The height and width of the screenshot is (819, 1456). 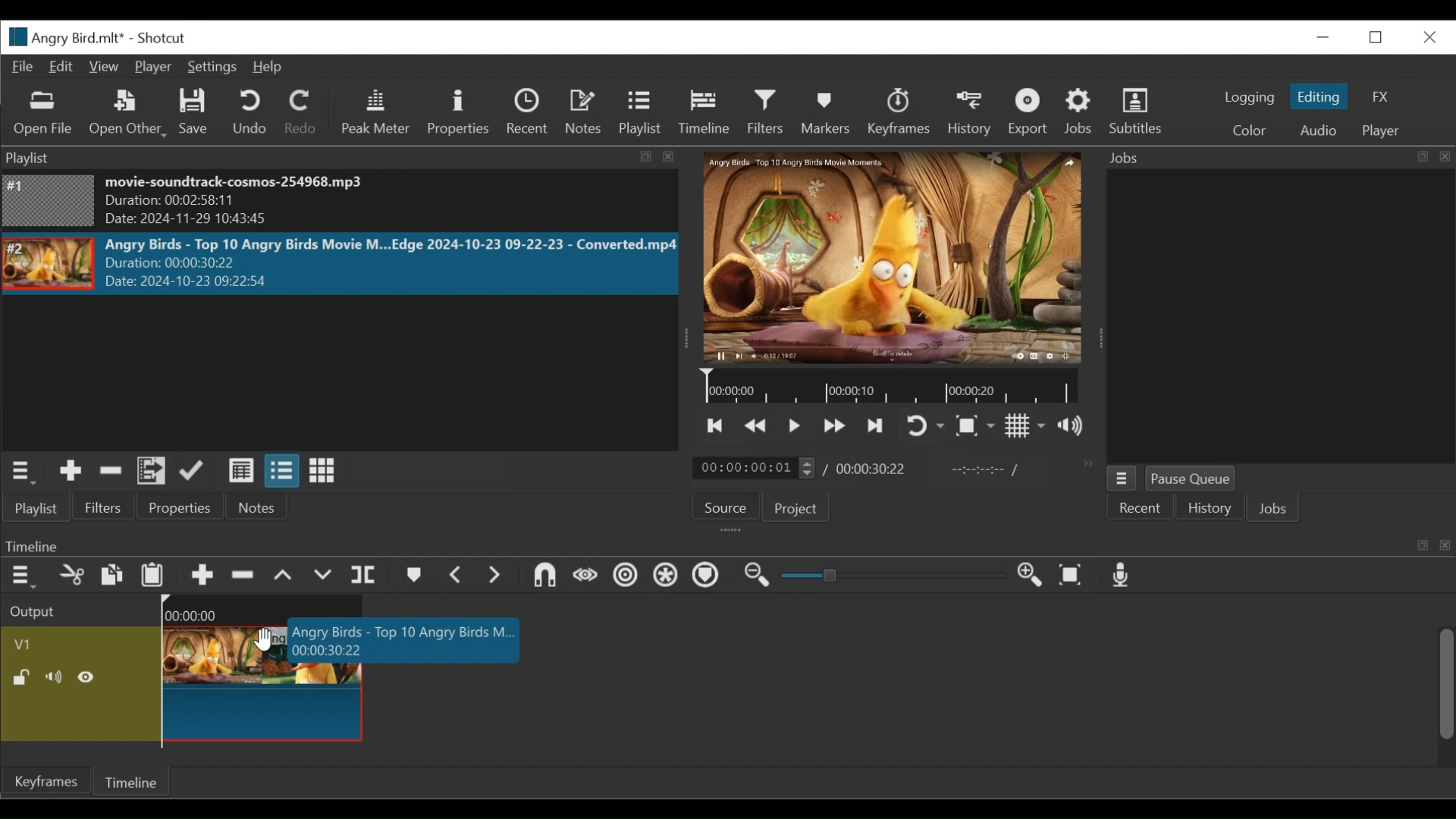 I want to click on Overwrite, so click(x=324, y=576).